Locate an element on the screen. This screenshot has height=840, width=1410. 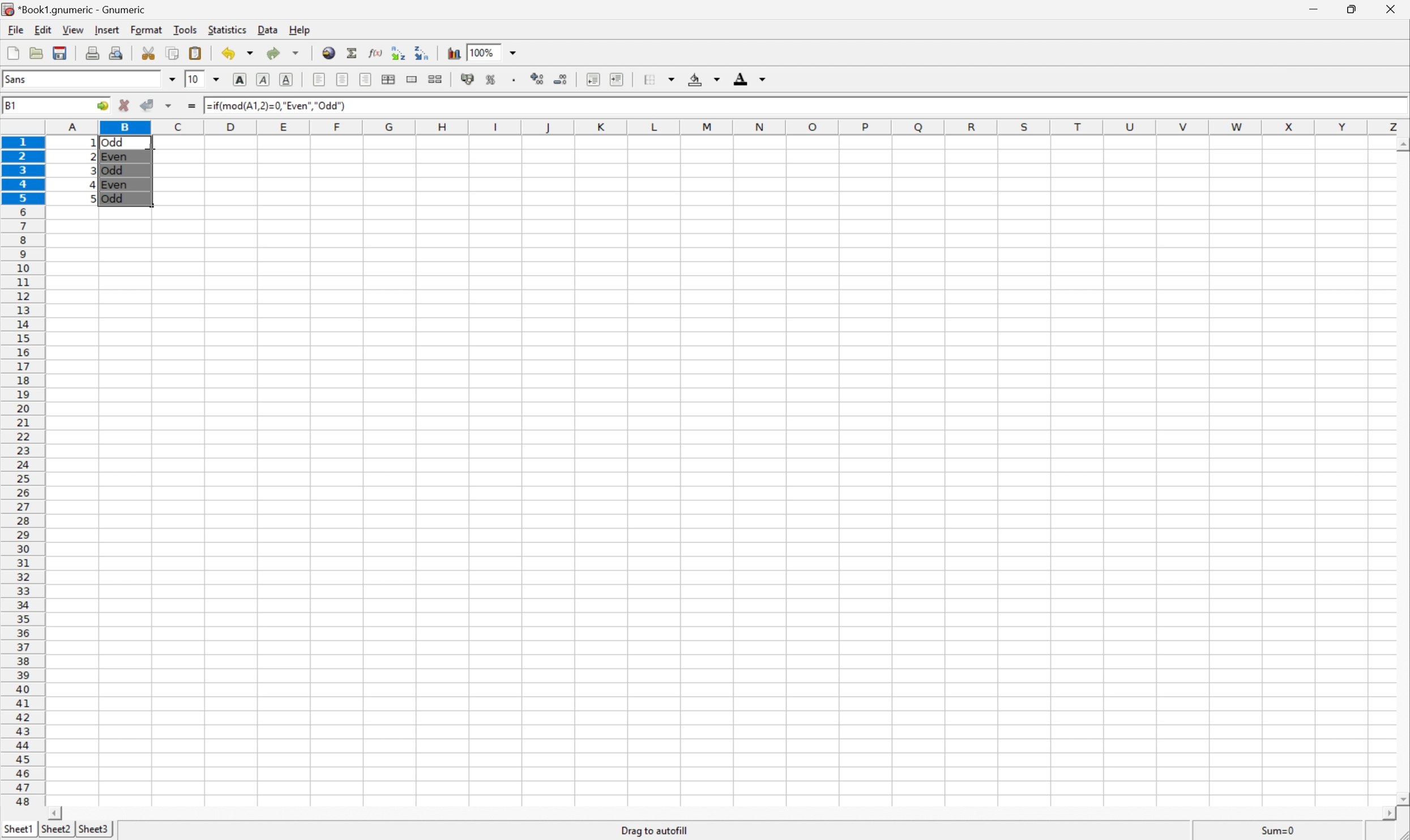
Drag to autofill is located at coordinates (653, 830).